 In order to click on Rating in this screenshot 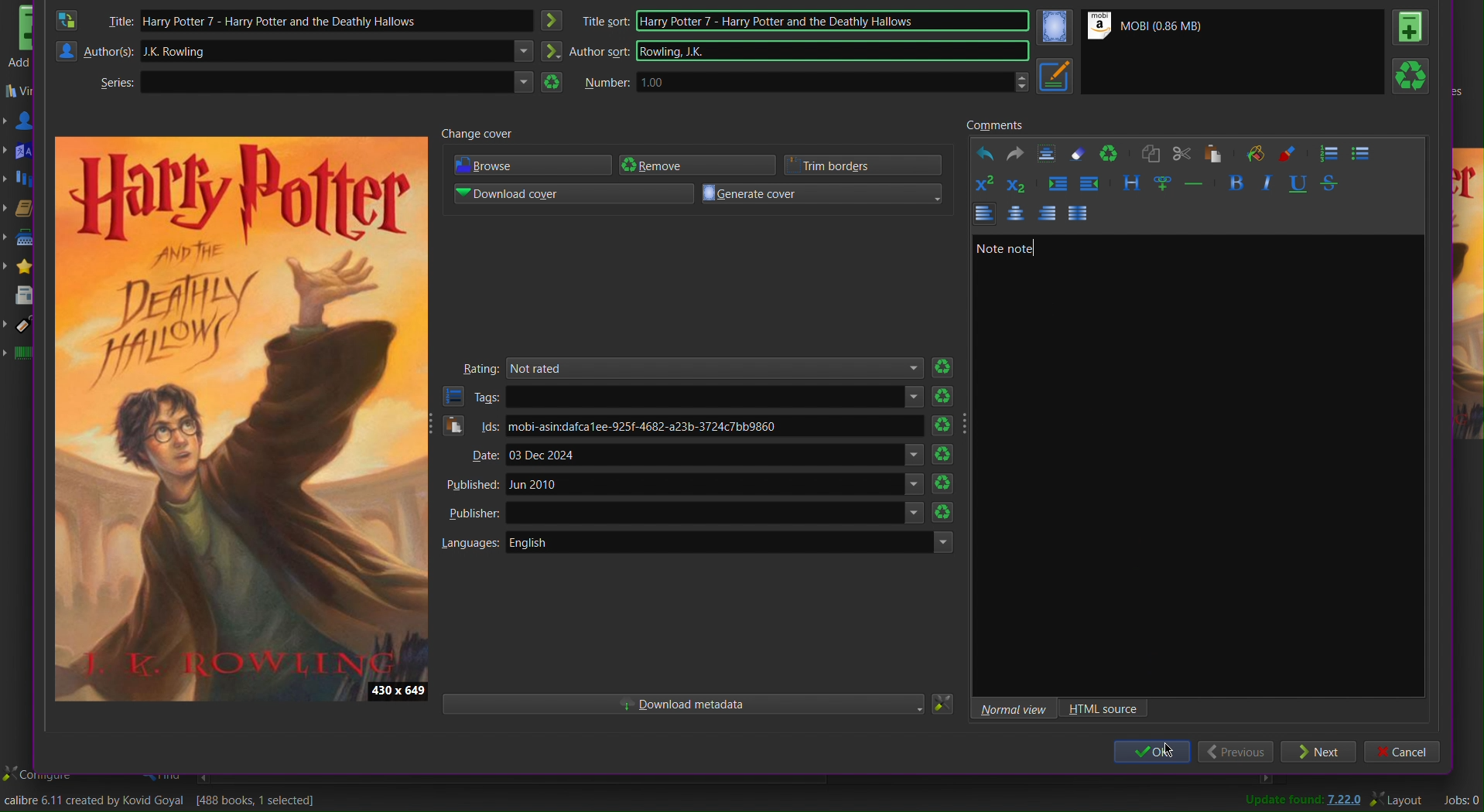, I will do `click(480, 366)`.